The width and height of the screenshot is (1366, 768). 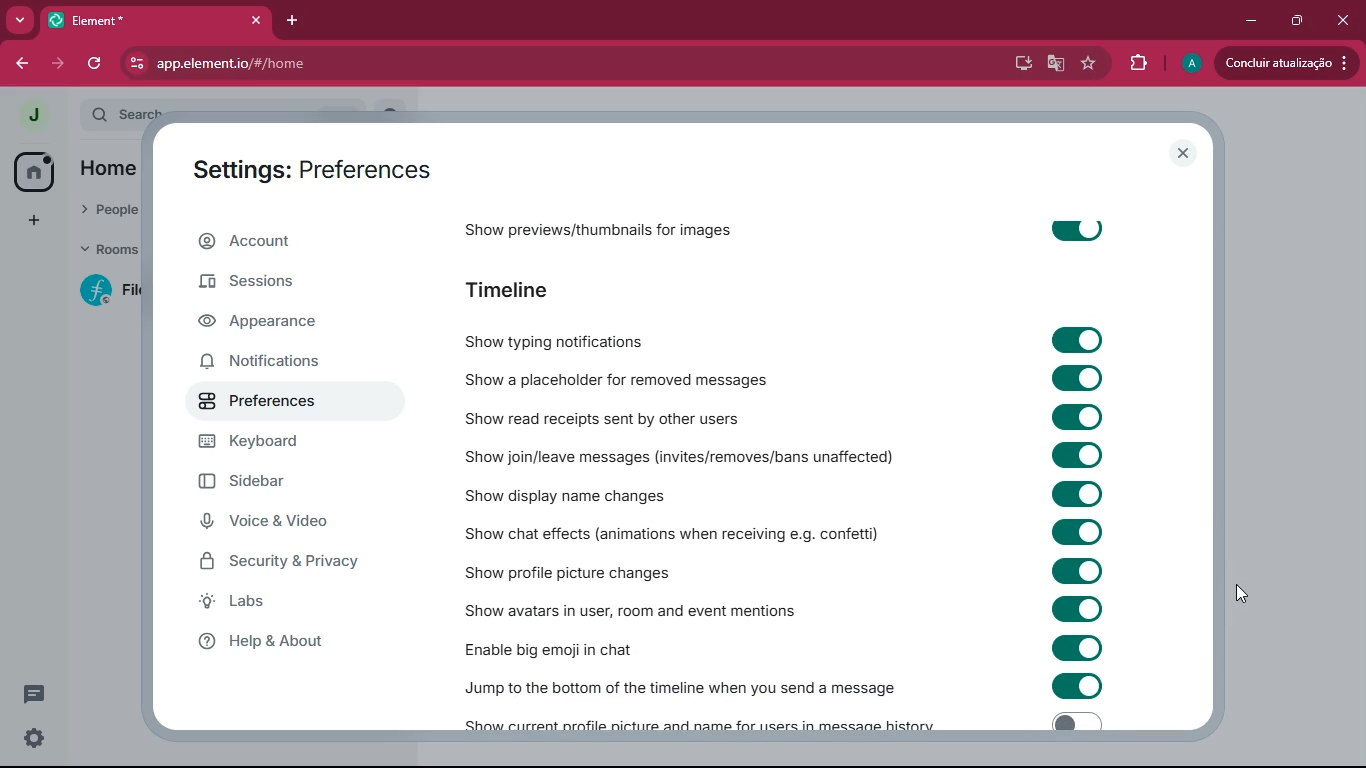 What do you see at coordinates (328, 64) in the screenshot?
I see `app.element.io/#/home` at bounding box center [328, 64].